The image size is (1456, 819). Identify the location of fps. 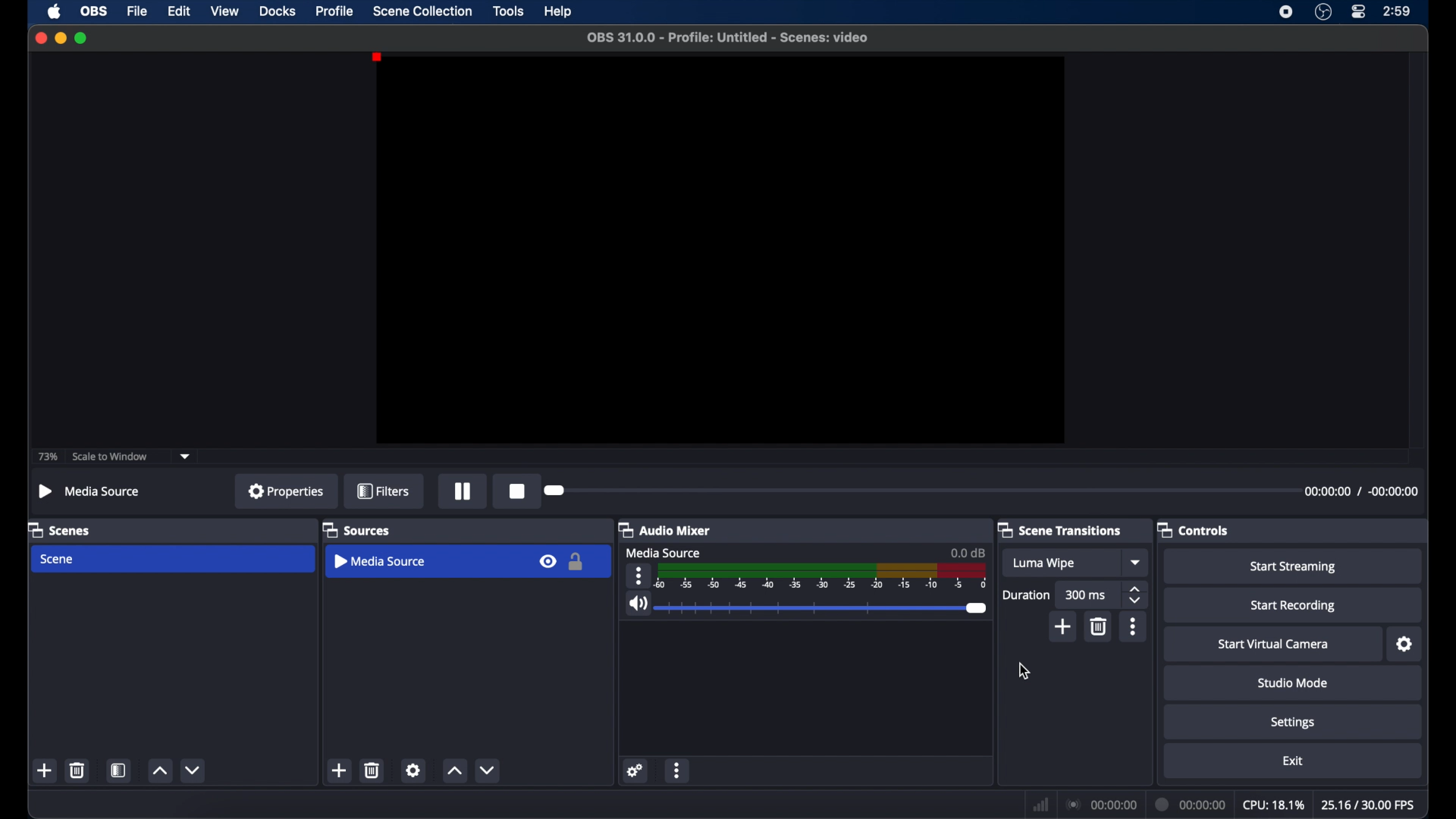
(1369, 805).